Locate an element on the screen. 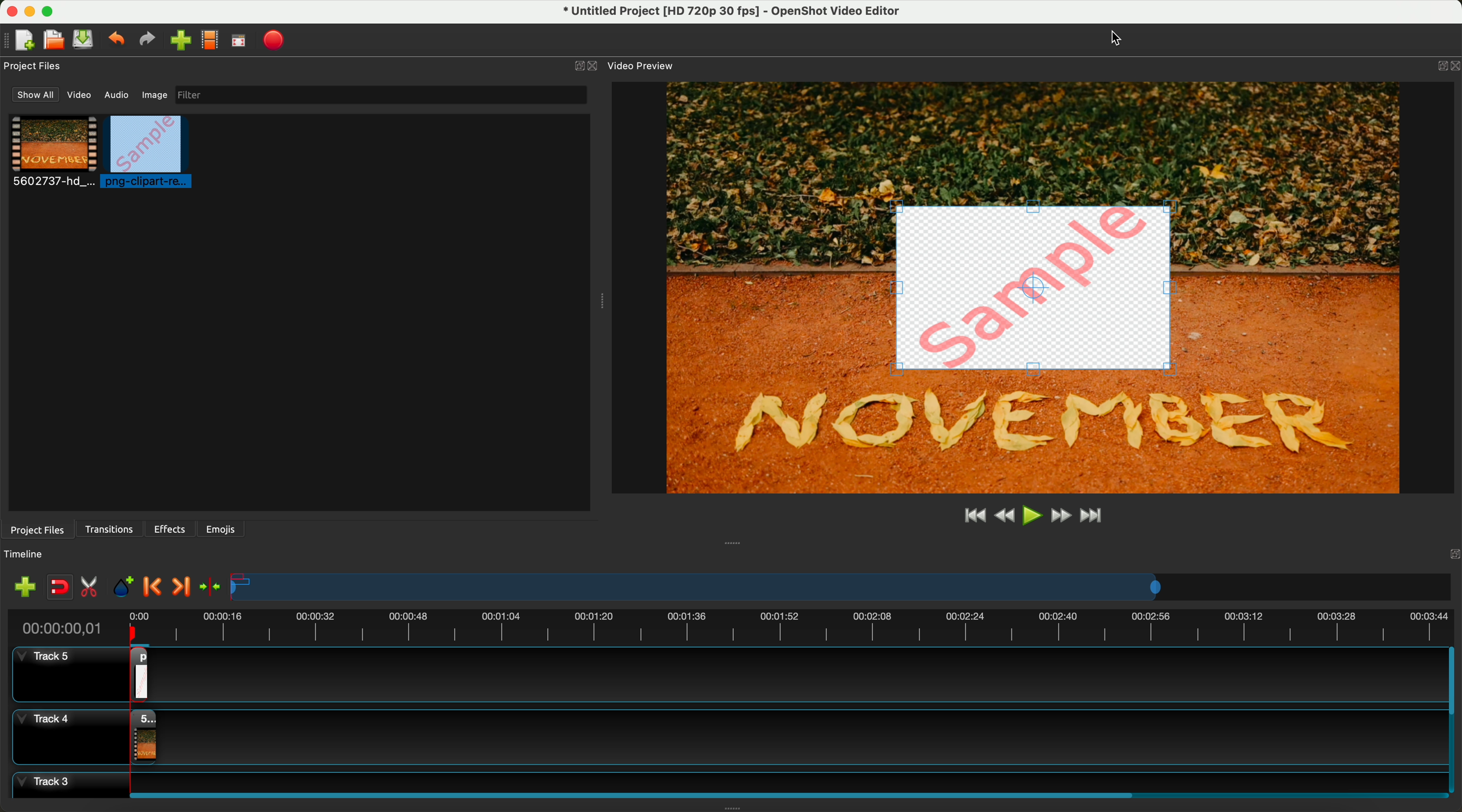 Image resolution: width=1462 pixels, height=812 pixels. image is located at coordinates (153, 96).